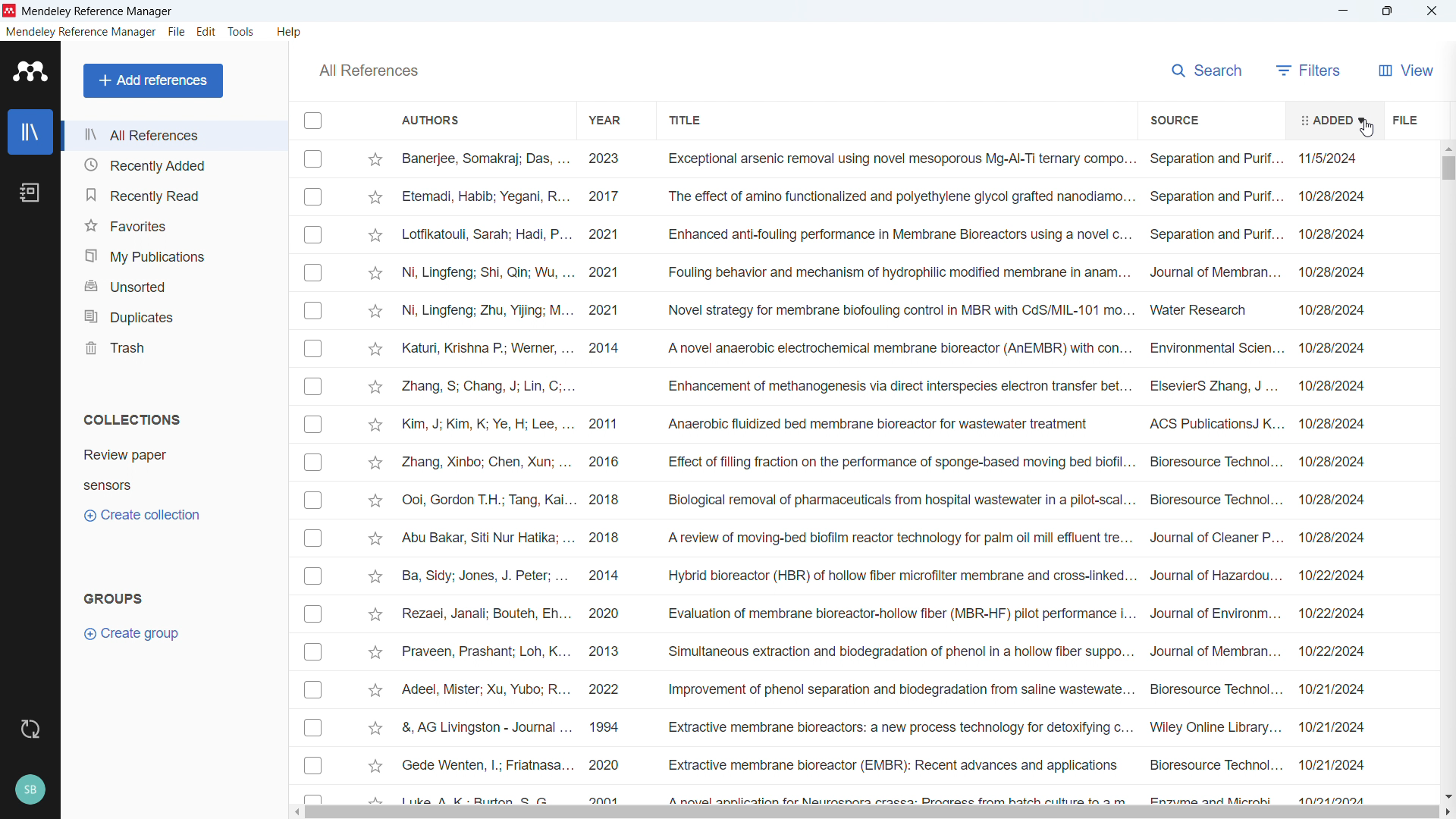 The height and width of the screenshot is (819, 1456). I want to click on Profile , so click(30, 789).